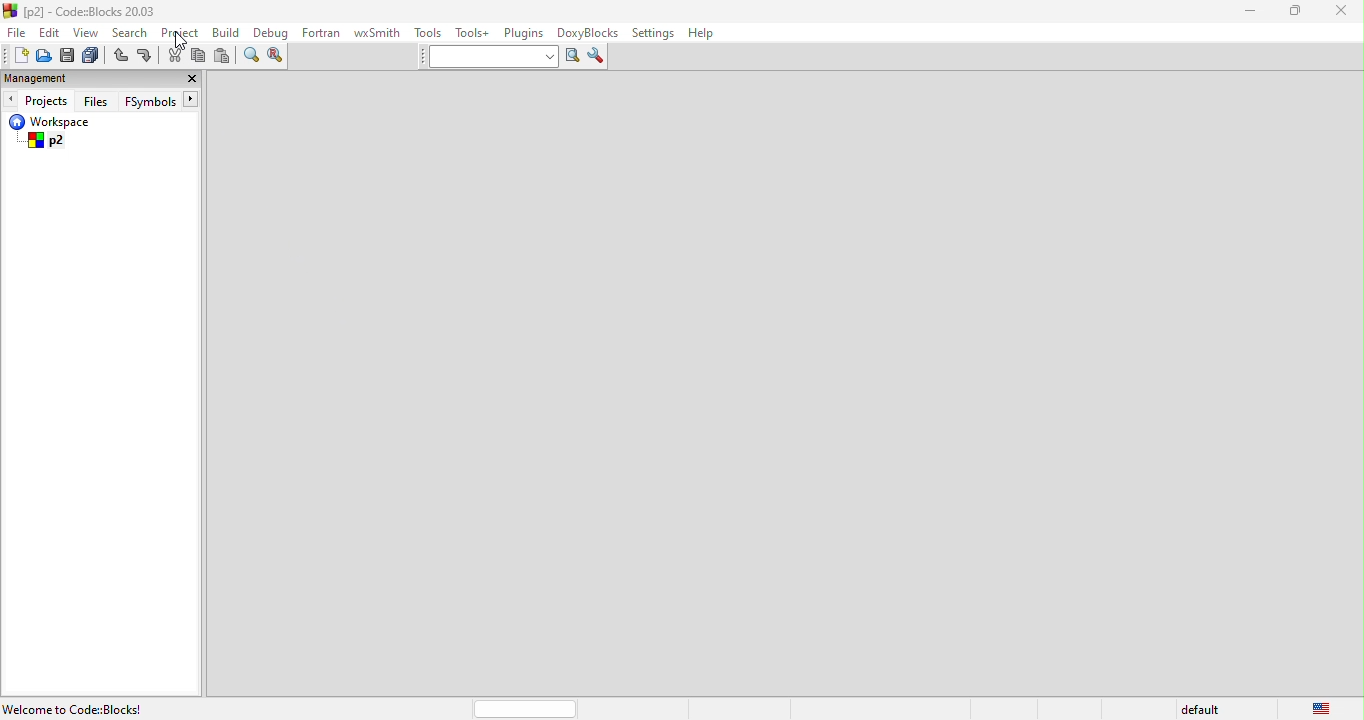 This screenshot has height=720, width=1364. What do you see at coordinates (428, 33) in the screenshot?
I see `tools` at bounding box center [428, 33].